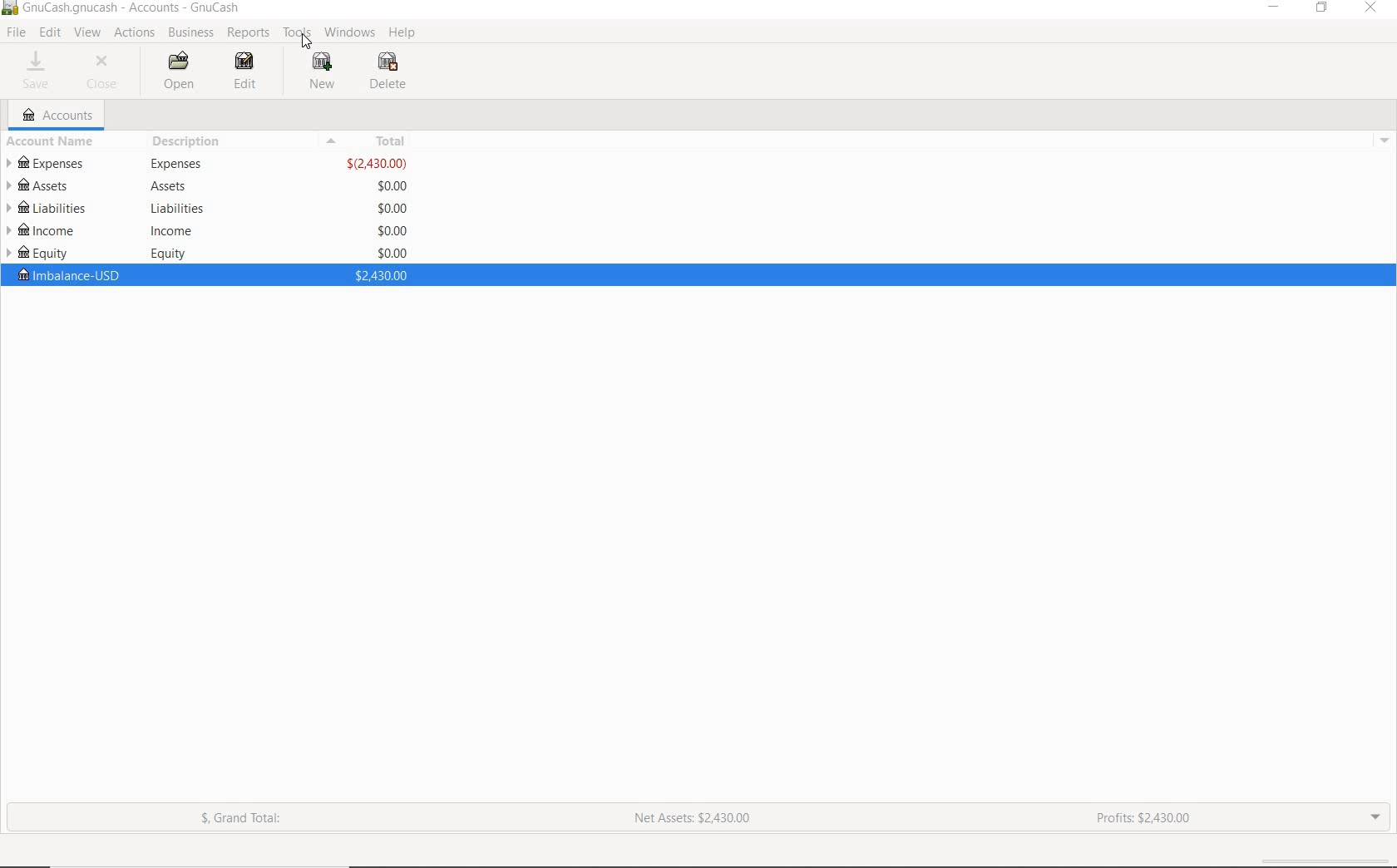 This screenshot has width=1397, height=868. Describe the element at coordinates (19, 33) in the screenshot. I see `FILE` at that location.